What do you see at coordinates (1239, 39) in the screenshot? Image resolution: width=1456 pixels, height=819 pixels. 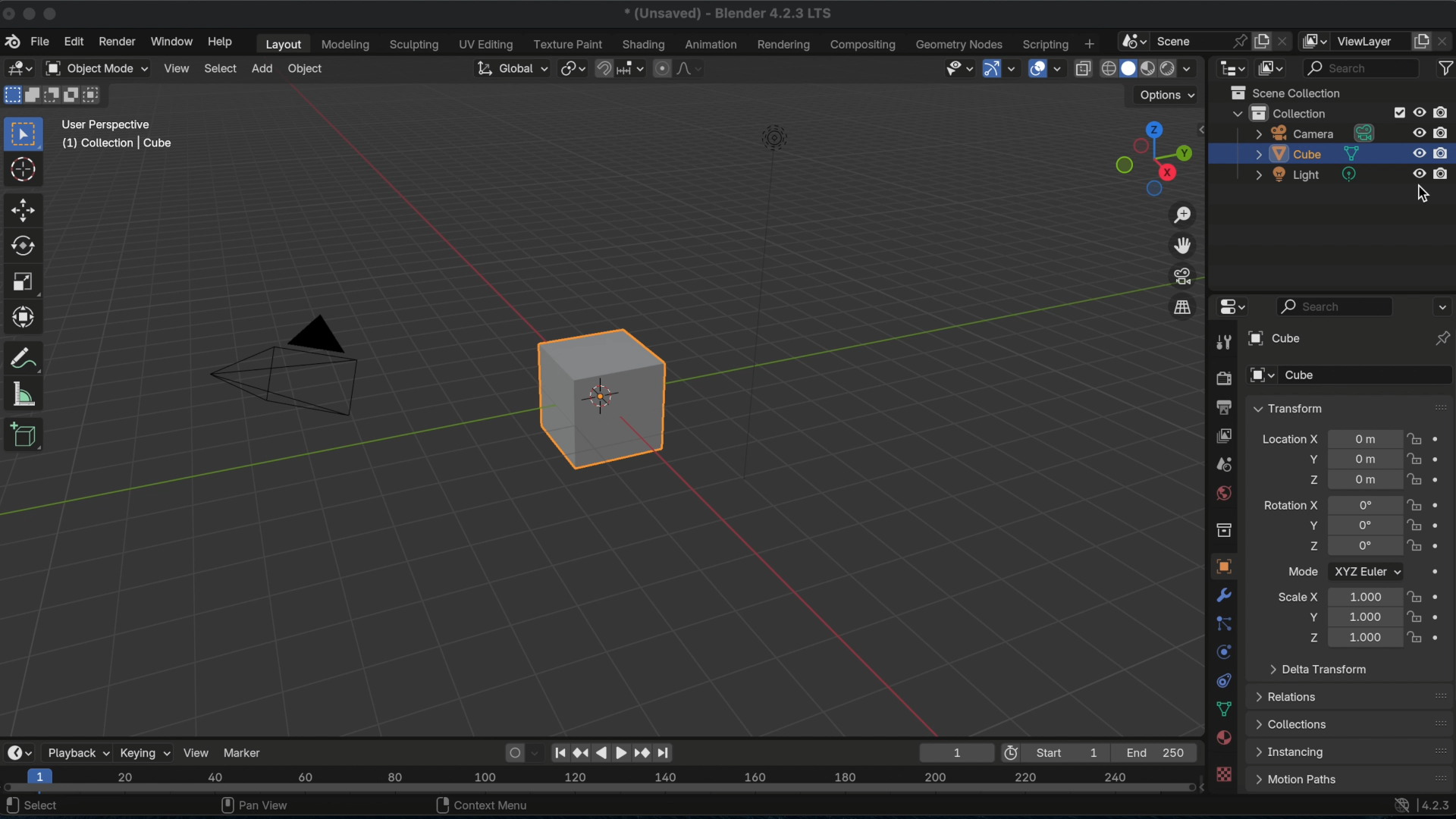 I see `pin scene to workspace` at bounding box center [1239, 39].